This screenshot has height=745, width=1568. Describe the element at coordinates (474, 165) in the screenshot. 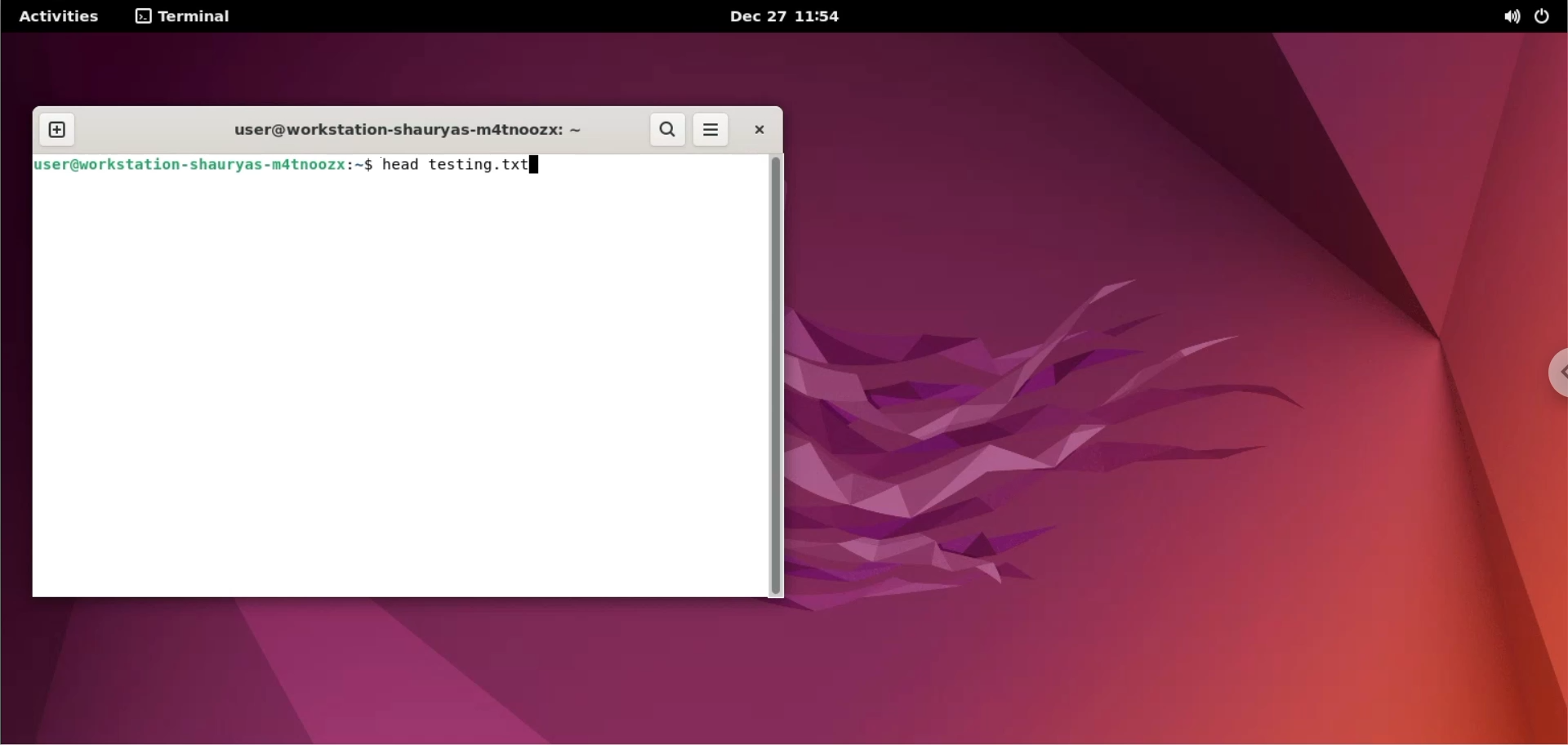

I see `head testing.txt : command to view top 10 lines` at that location.